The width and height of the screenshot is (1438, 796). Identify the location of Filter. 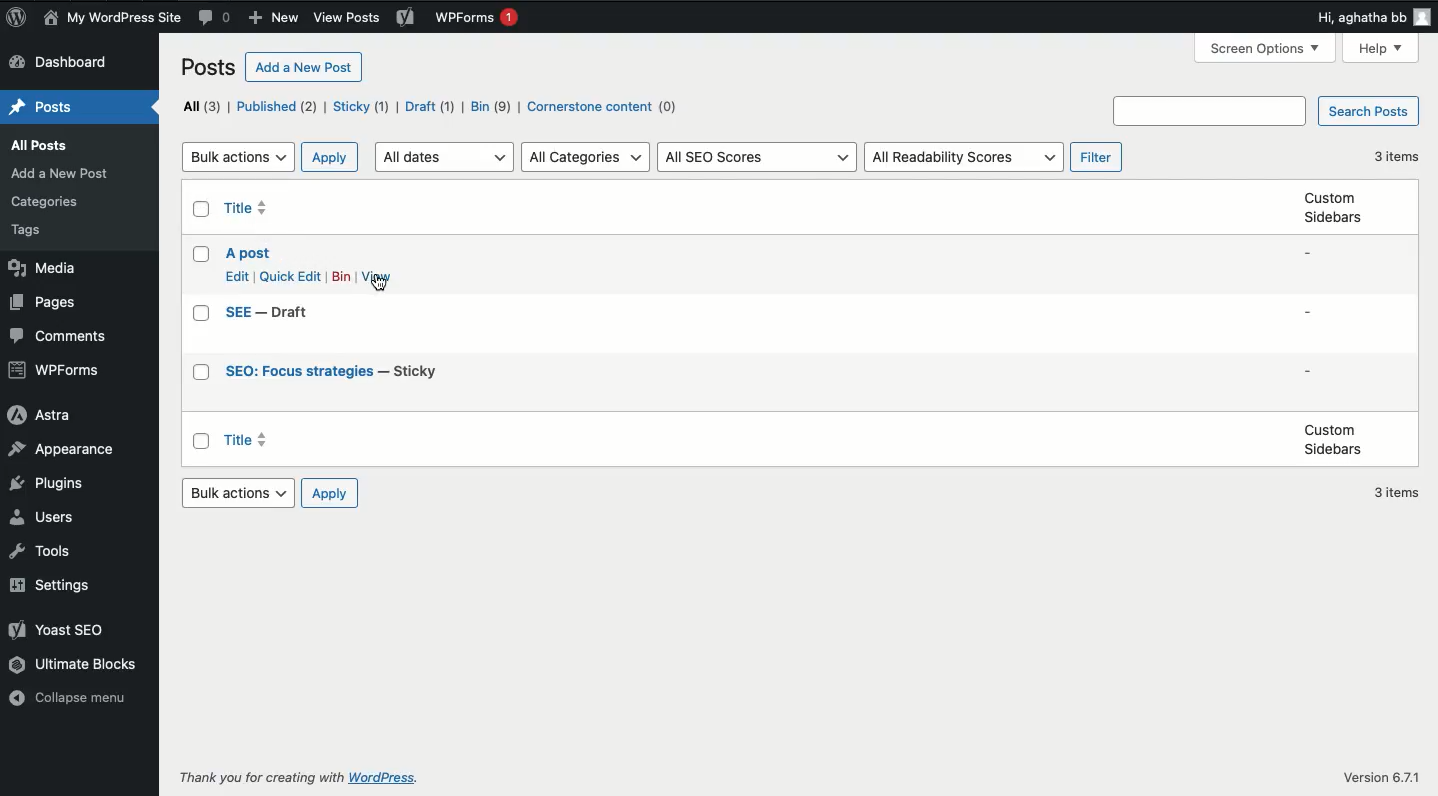
(1096, 158).